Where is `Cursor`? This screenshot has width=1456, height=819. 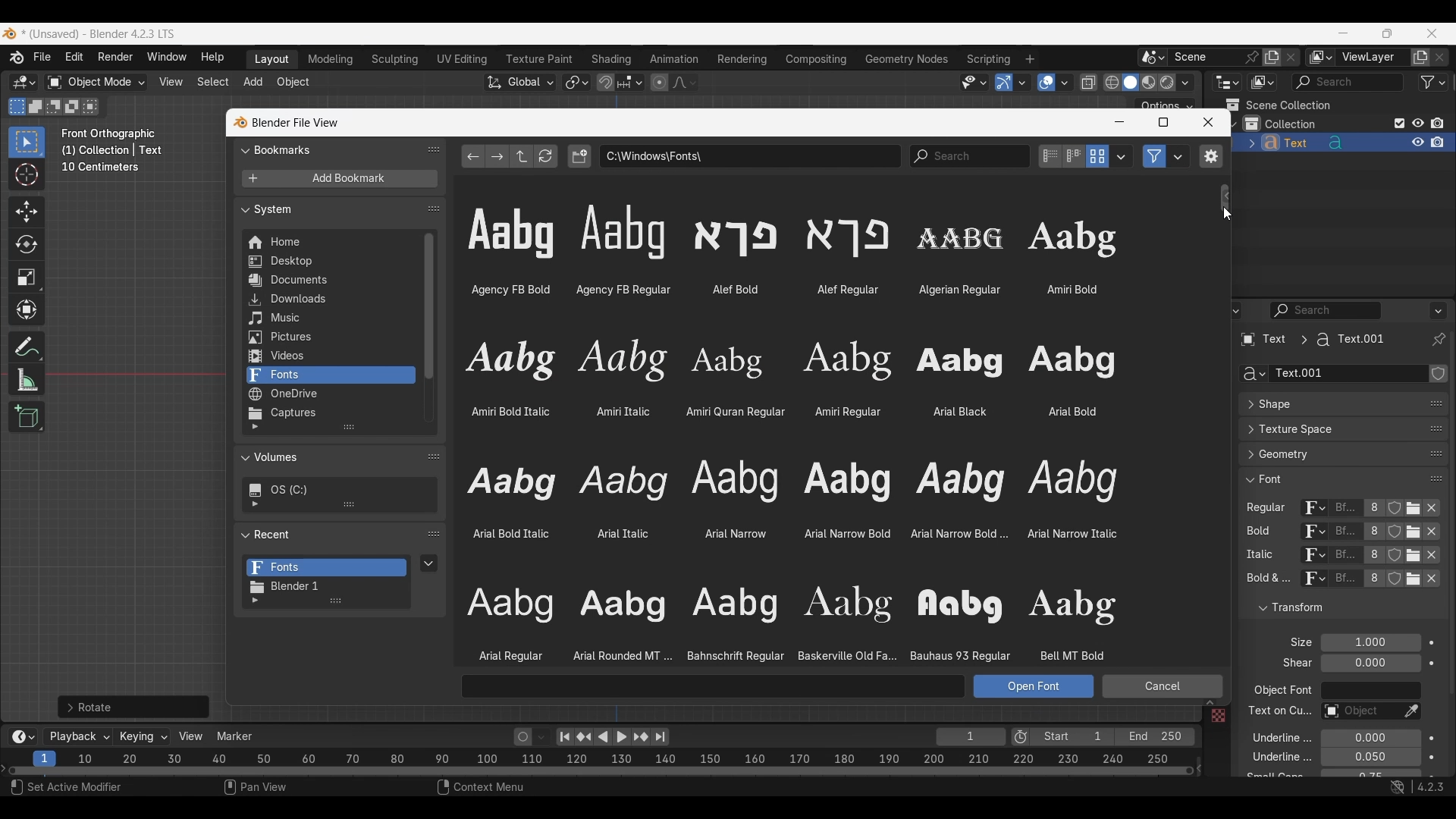 Cursor is located at coordinates (27, 176).